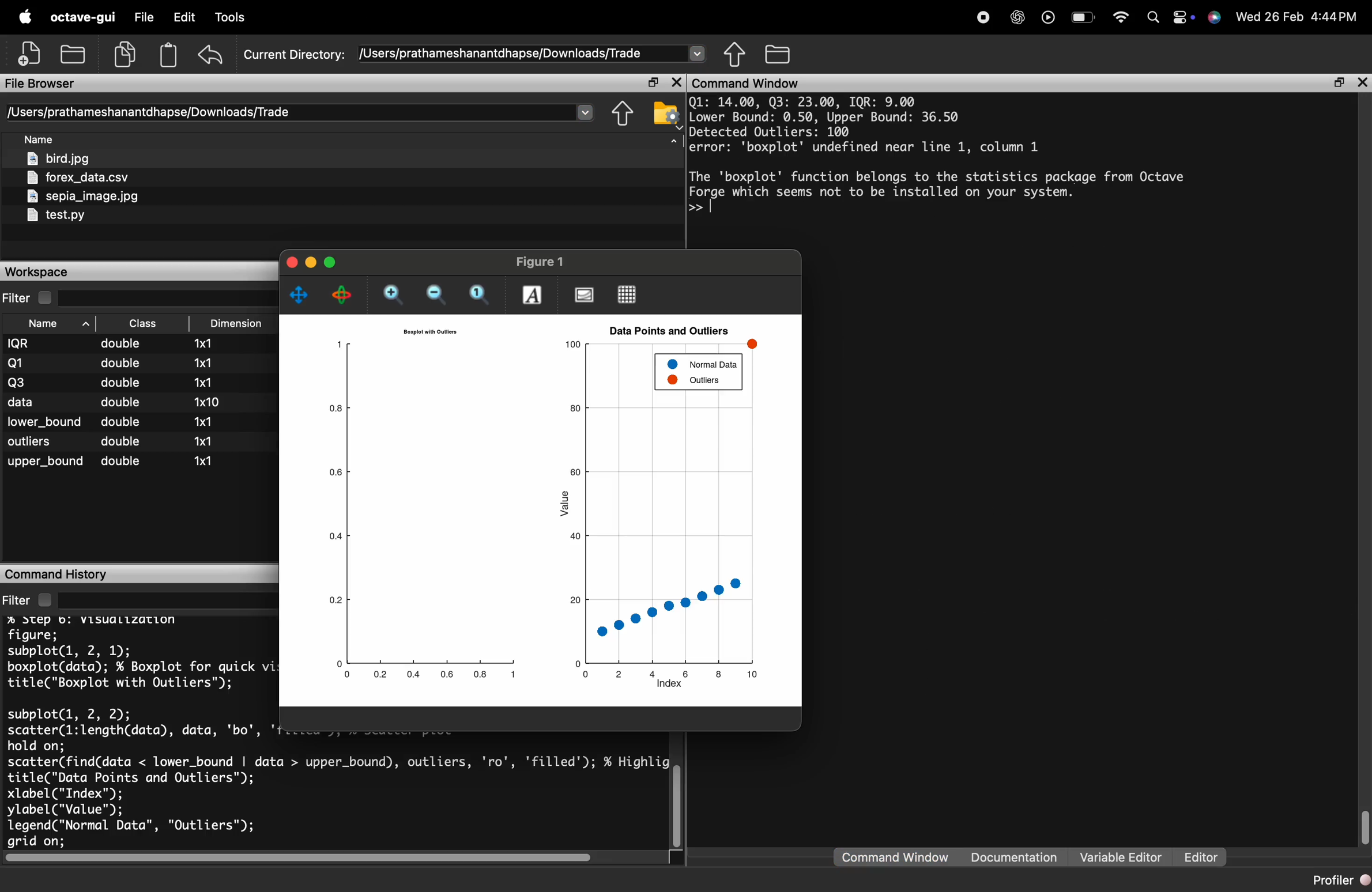  Describe the element at coordinates (145, 17) in the screenshot. I see `File` at that location.